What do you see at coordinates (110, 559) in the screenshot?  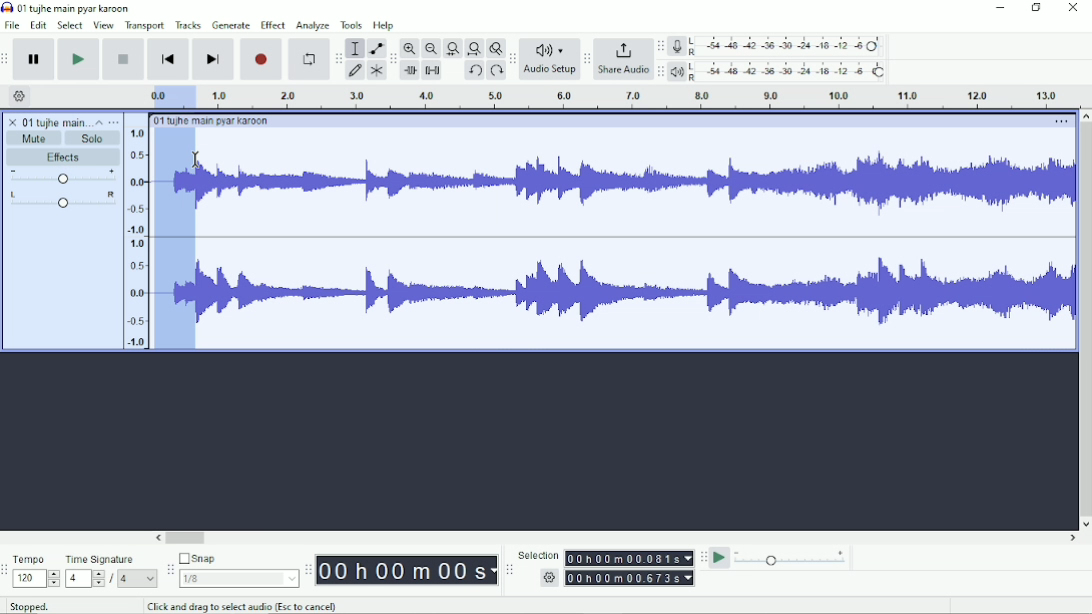 I see `Time Signature` at bounding box center [110, 559].